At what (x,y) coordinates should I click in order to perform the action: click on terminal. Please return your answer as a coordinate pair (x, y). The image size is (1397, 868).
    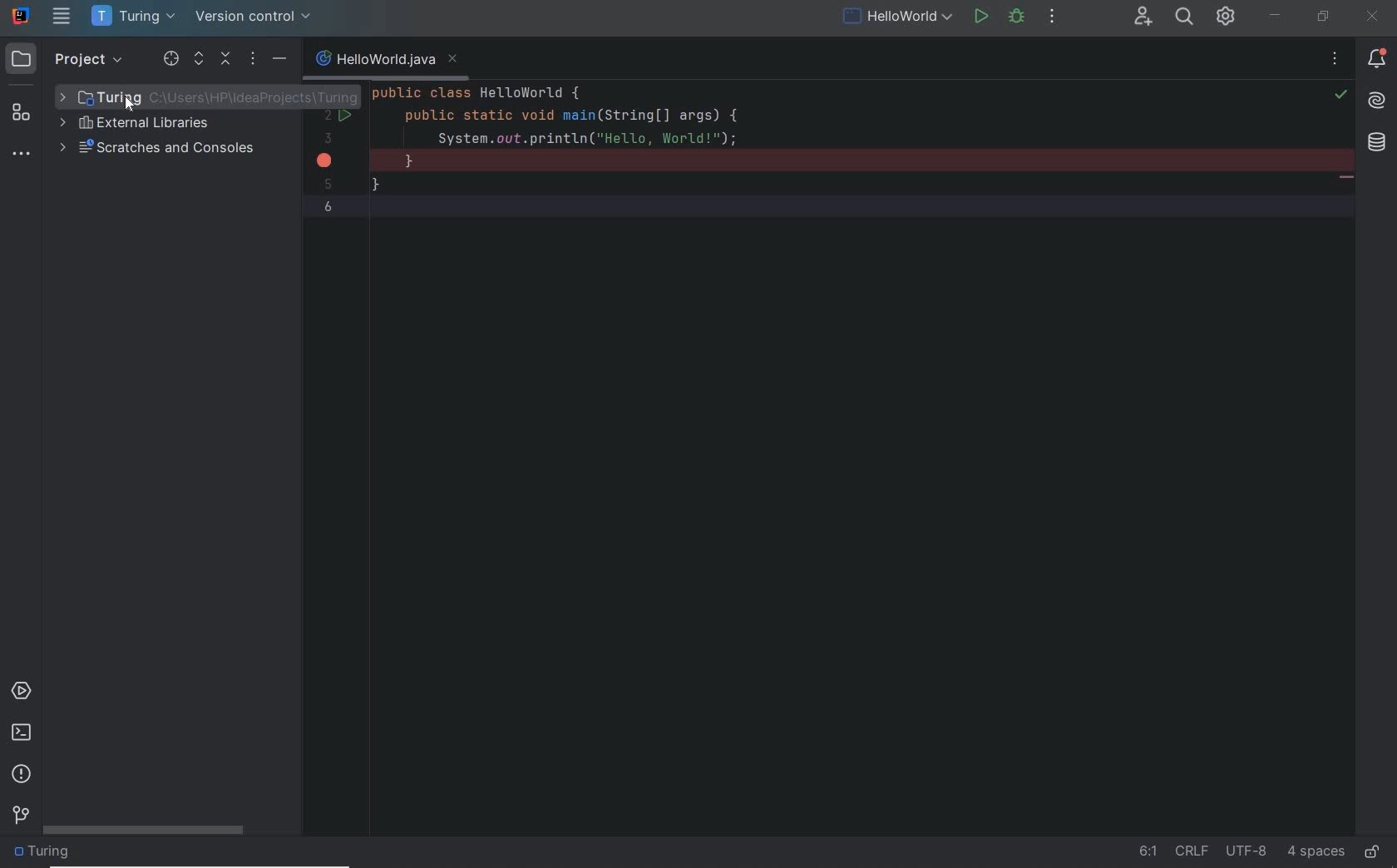
    Looking at the image, I should click on (22, 735).